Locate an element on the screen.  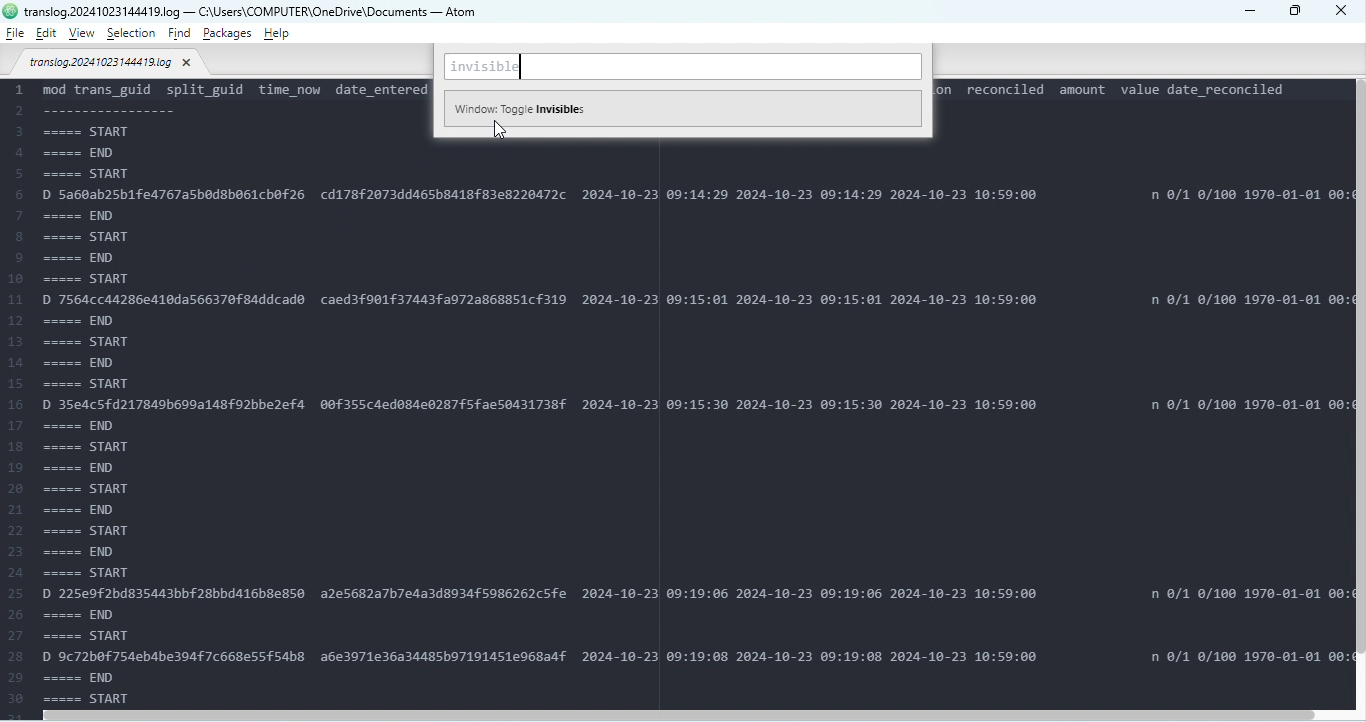
Help is located at coordinates (276, 33).